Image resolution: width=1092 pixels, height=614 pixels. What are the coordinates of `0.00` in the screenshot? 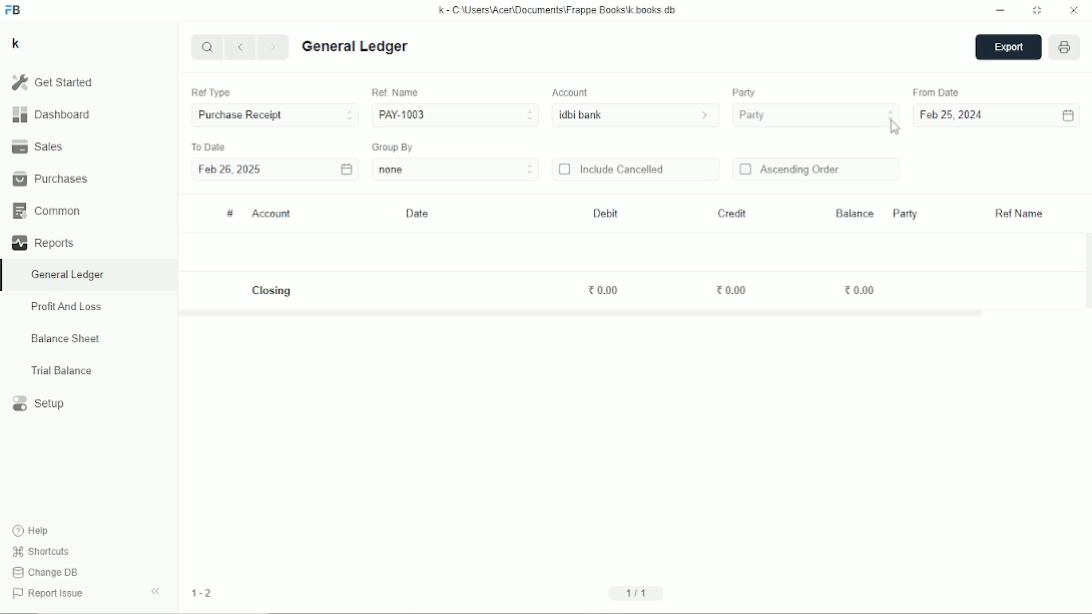 It's located at (732, 291).